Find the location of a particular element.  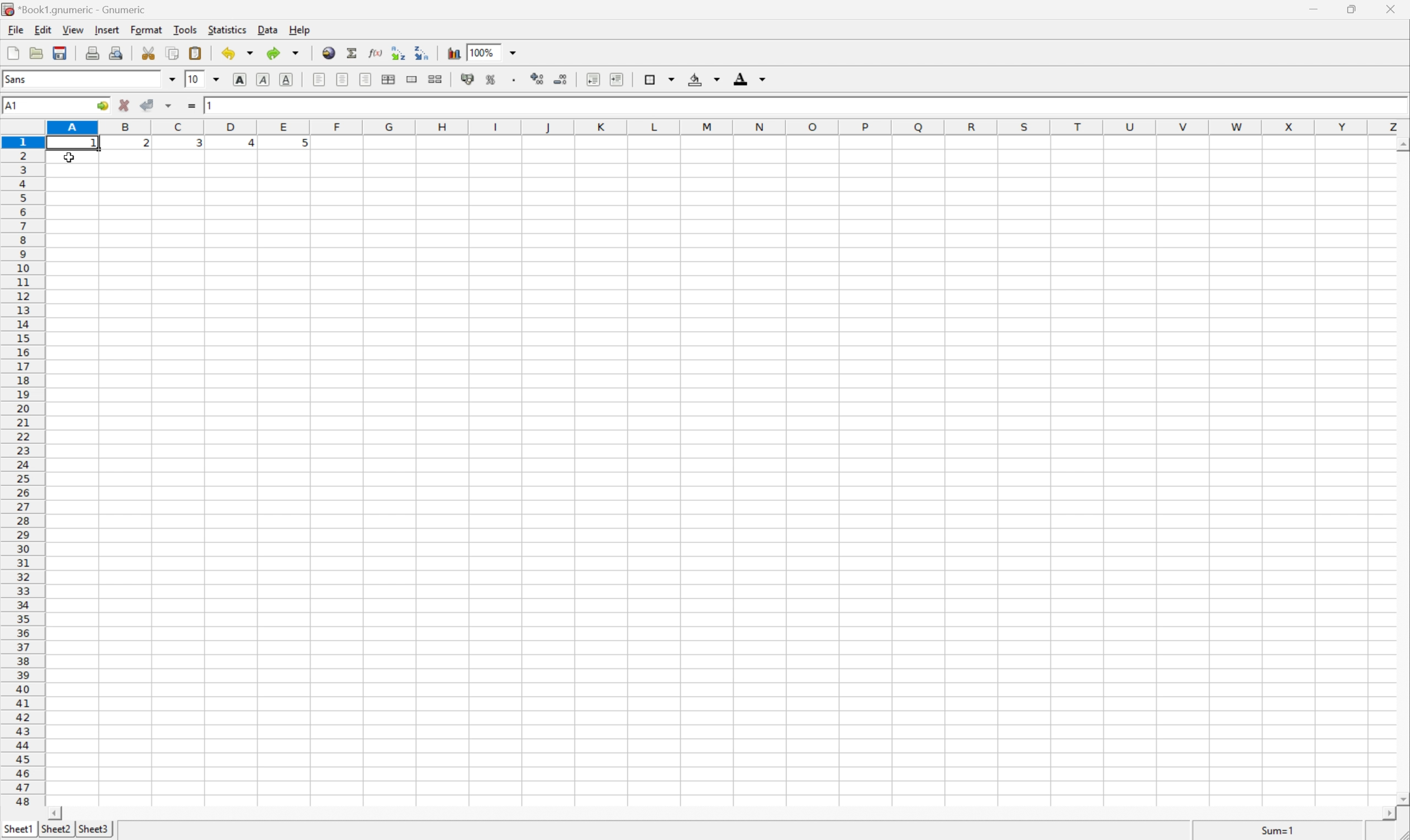

sum=1 is located at coordinates (1277, 833).